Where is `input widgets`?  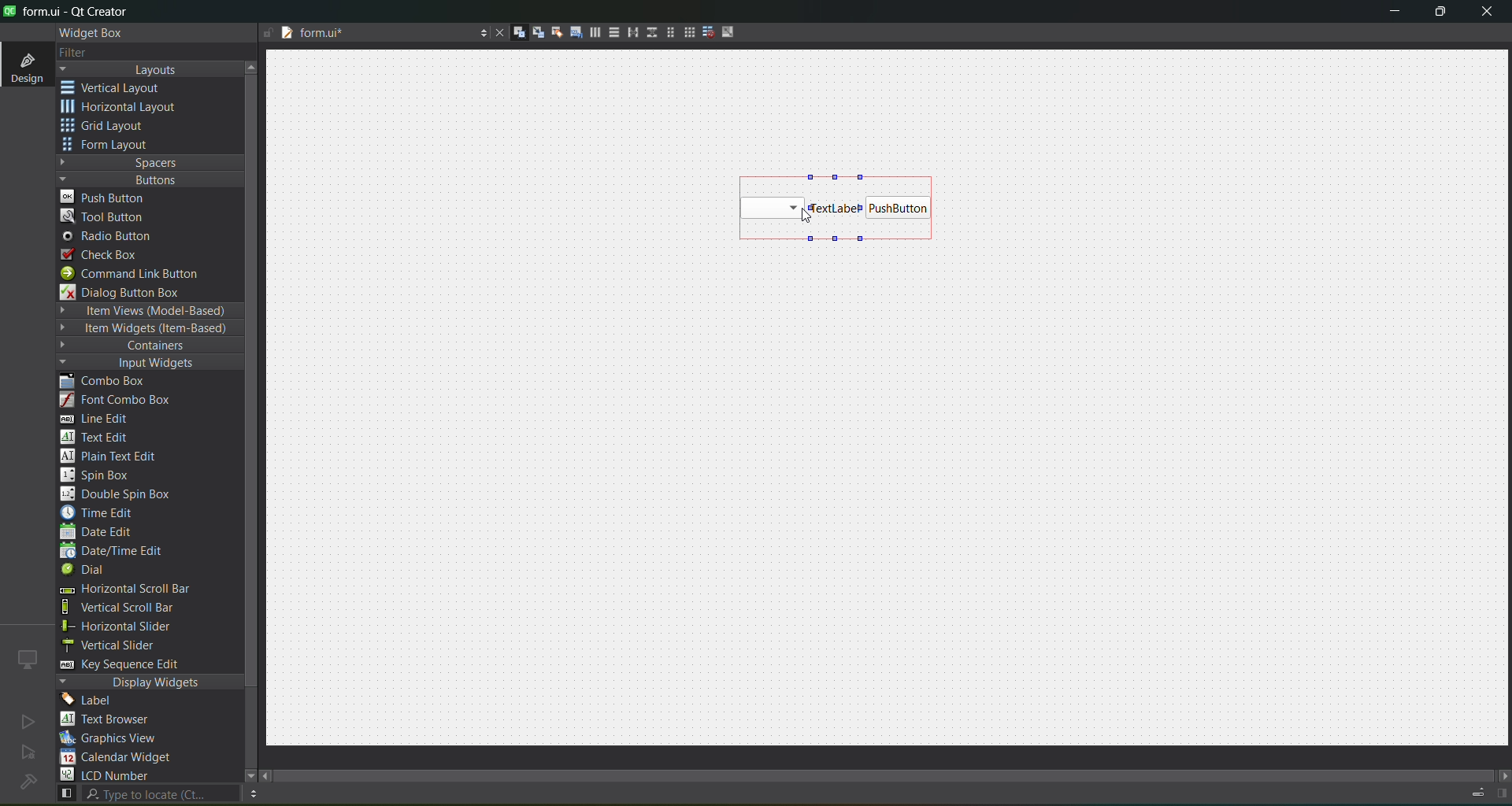 input widgets is located at coordinates (142, 364).